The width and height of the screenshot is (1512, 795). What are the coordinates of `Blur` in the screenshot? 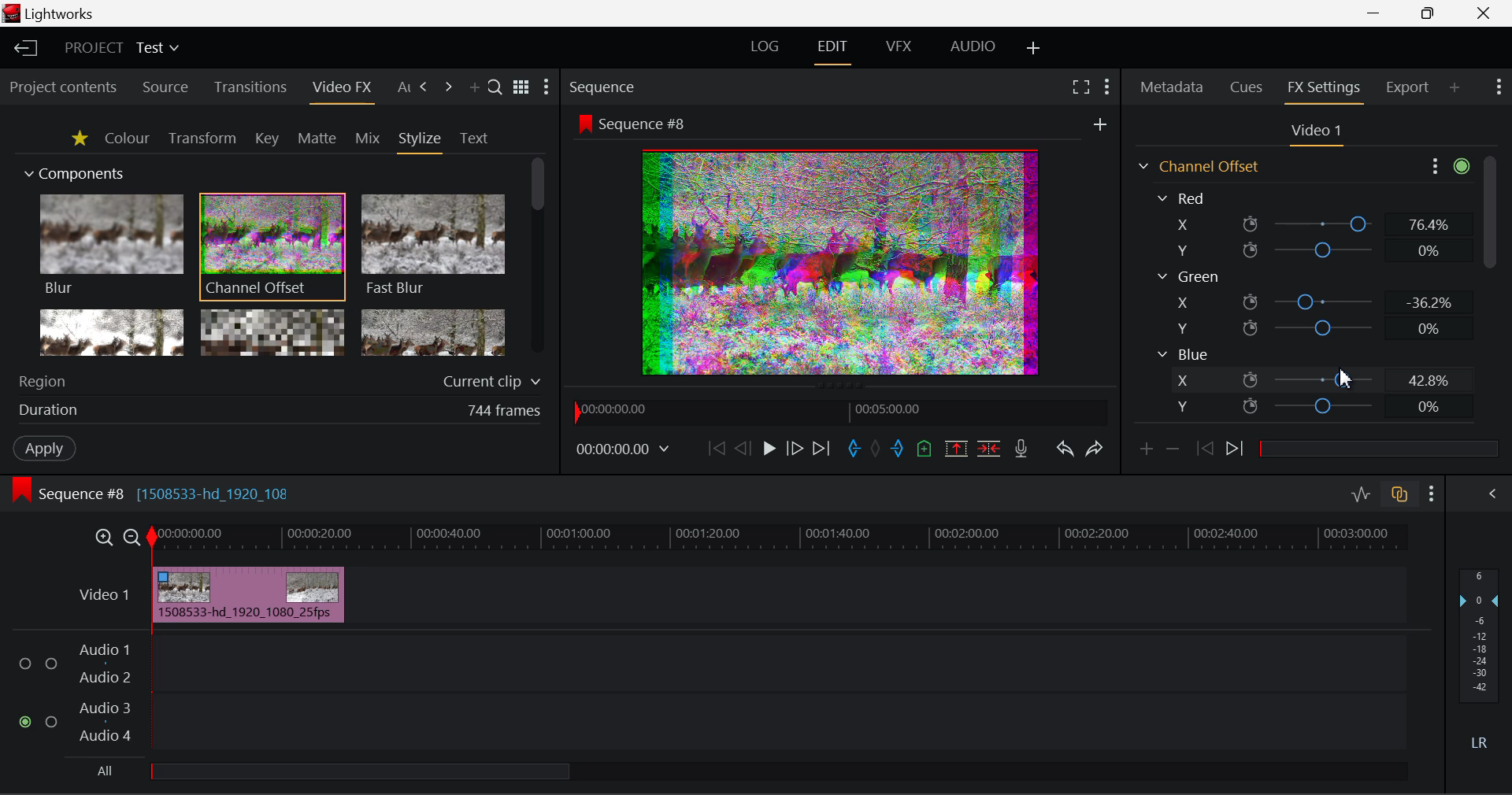 It's located at (110, 246).